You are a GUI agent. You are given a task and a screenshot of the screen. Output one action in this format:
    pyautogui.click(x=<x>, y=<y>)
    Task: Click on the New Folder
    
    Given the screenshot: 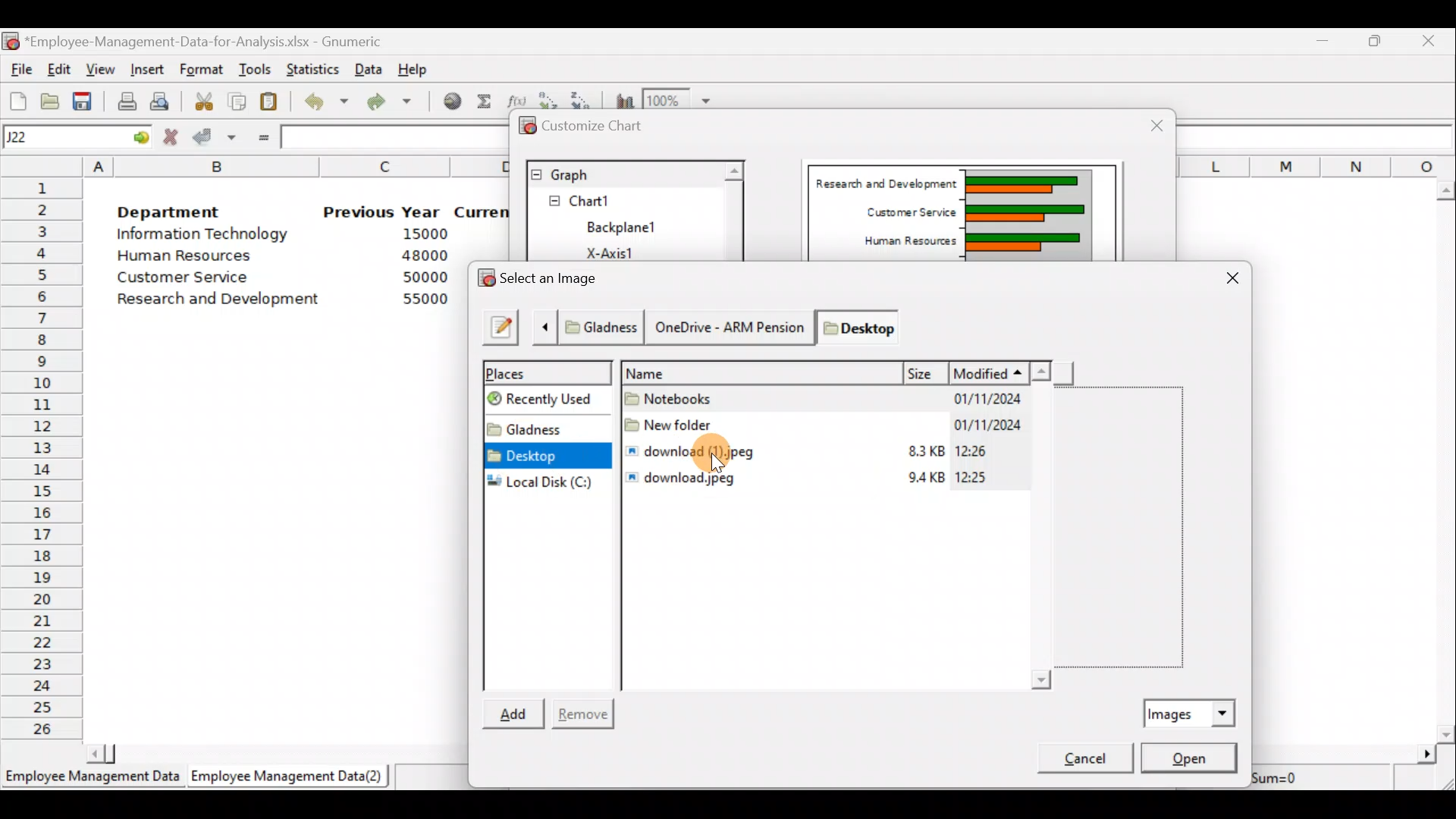 What is the action you would take?
    pyautogui.click(x=670, y=421)
    